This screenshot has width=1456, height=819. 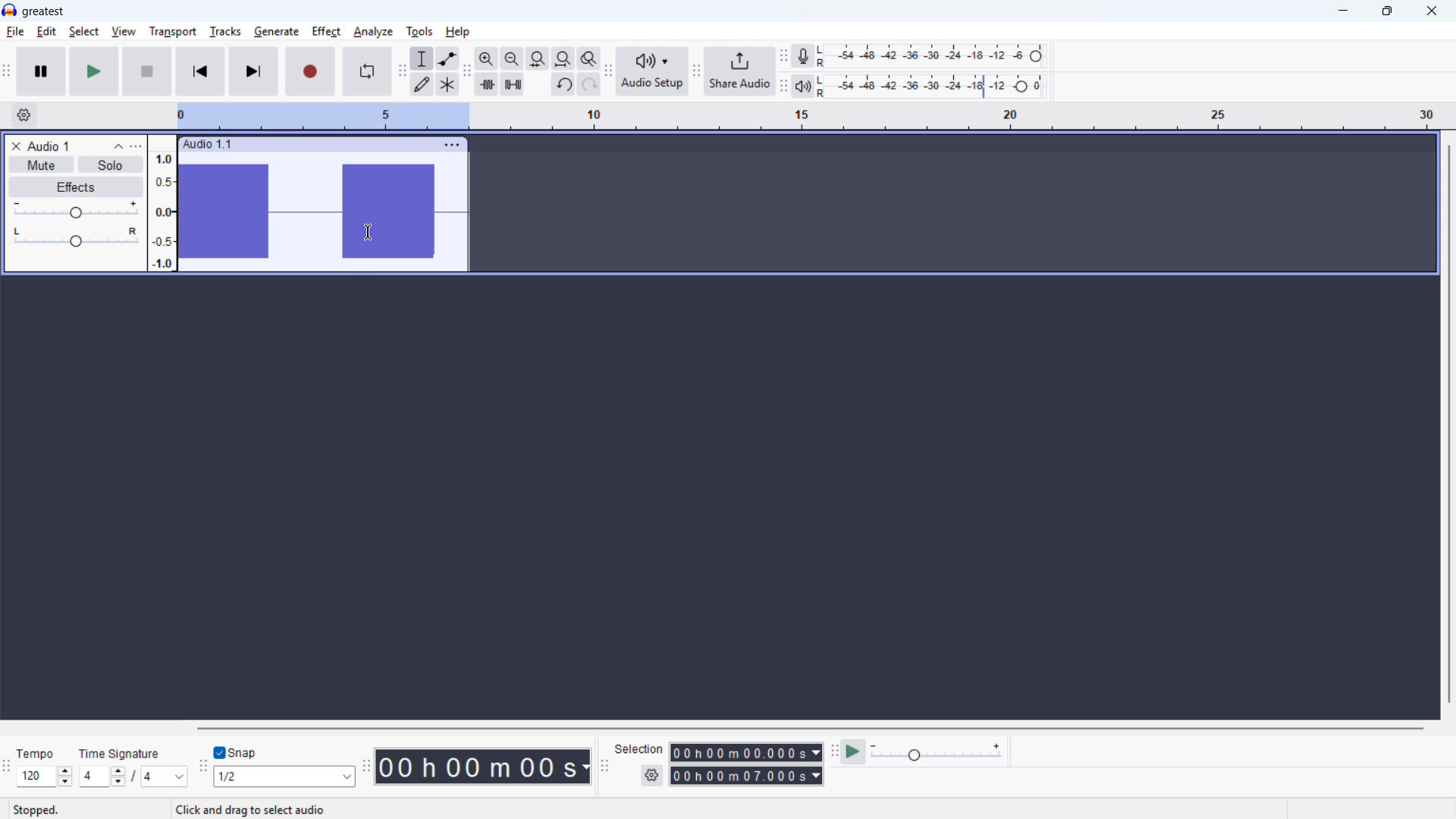 I want to click on Enable looping , so click(x=367, y=71).